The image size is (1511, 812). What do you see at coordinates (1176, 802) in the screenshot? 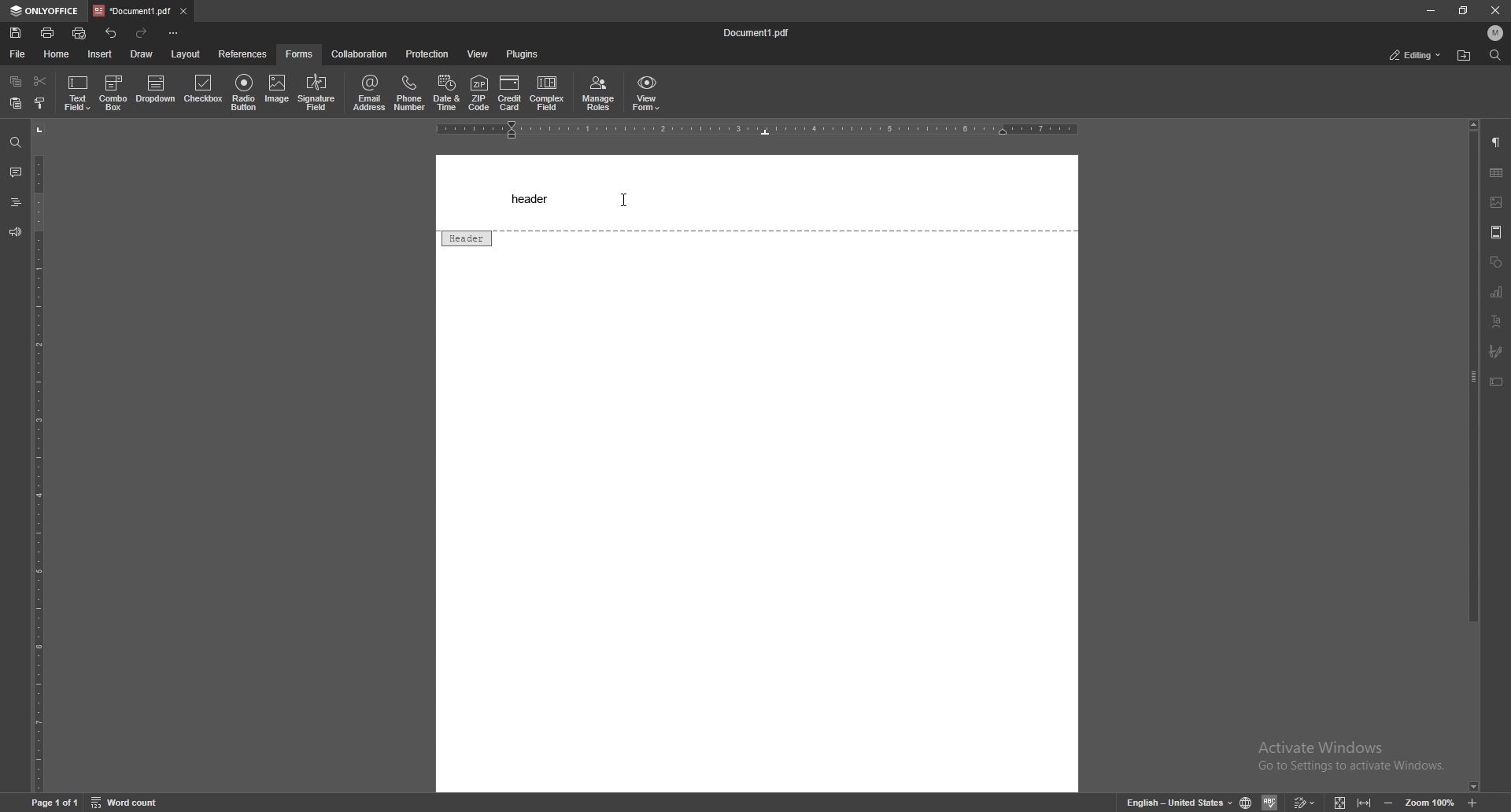
I see `change text language` at bounding box center [1176, 802].